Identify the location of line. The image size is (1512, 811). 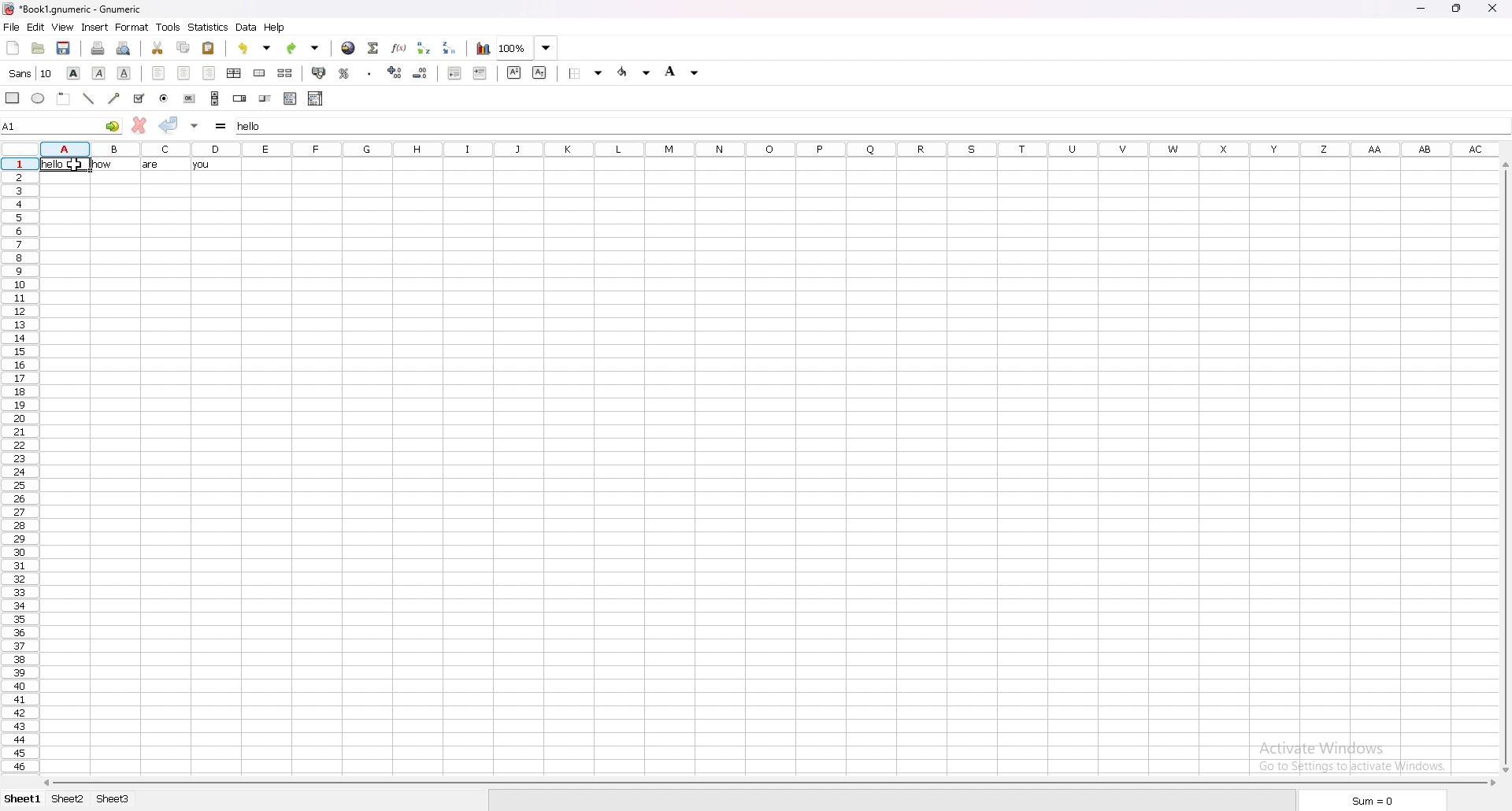
(89, 99).